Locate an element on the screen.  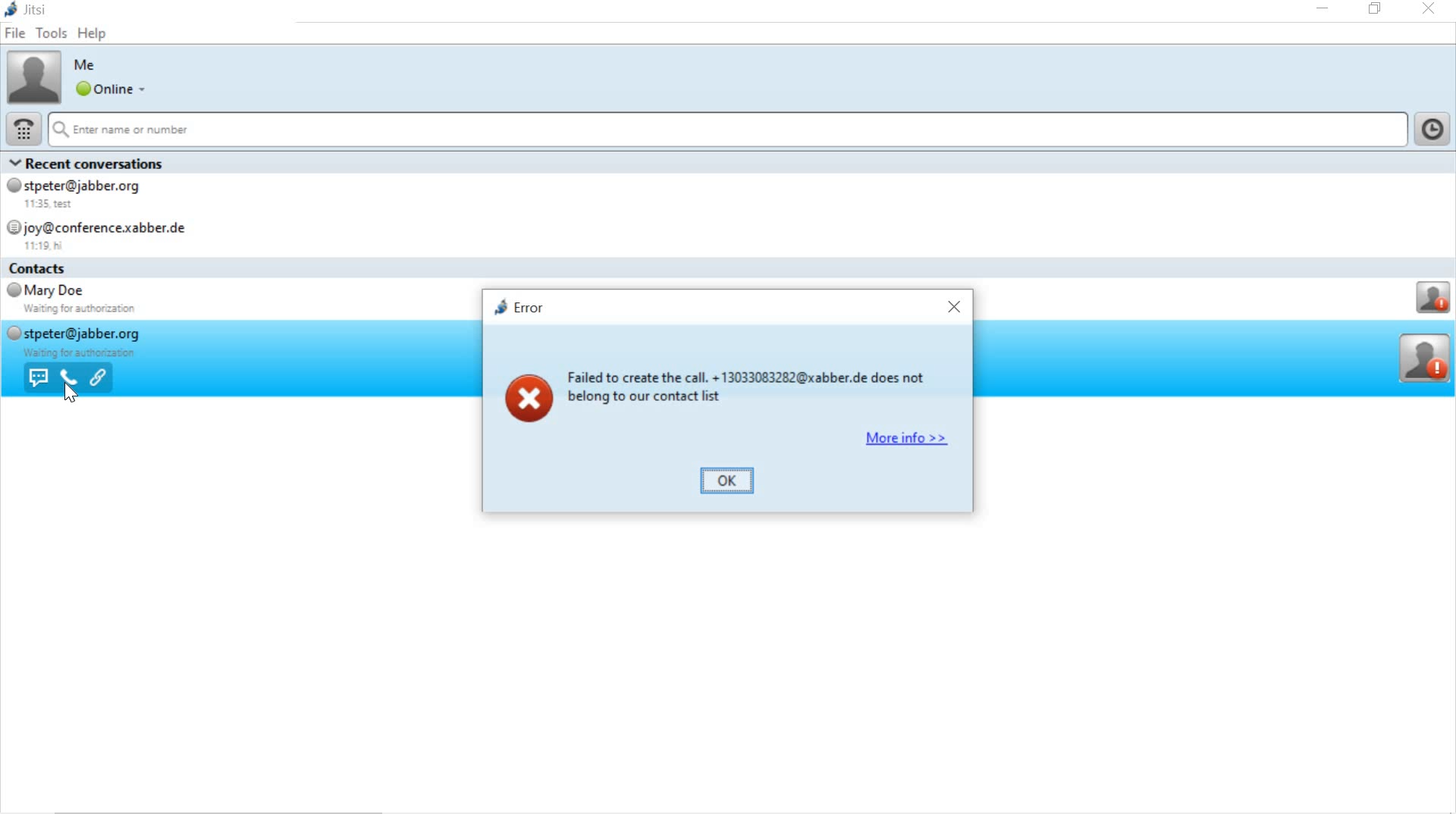
stpeter@jabber.org waiting for authorization is located at coordinates (71, 342).